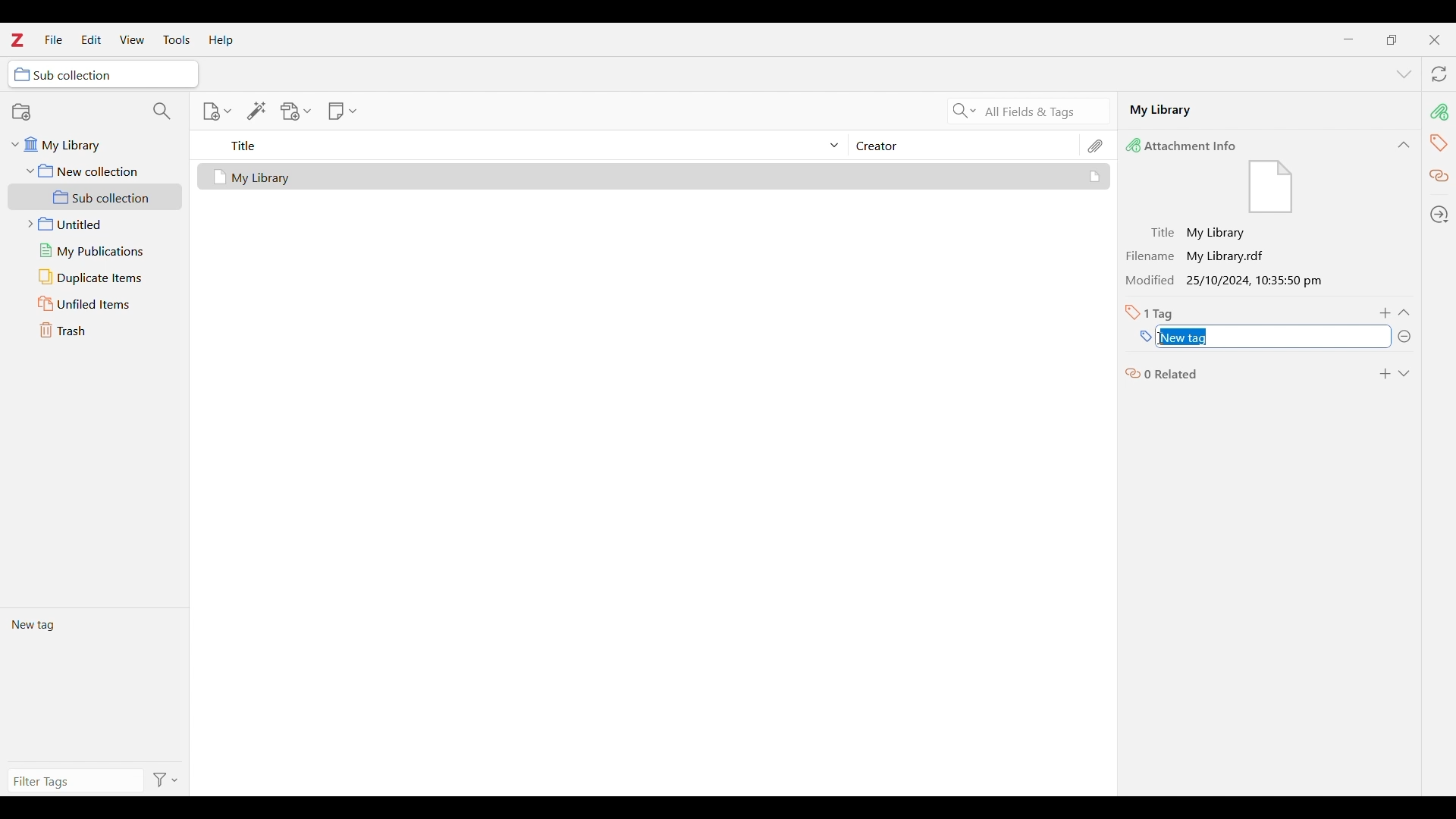 Image resolution: width=1456 pixels, height=819 pixels. Describe the element at coordinates (1200, 233) in the screenshot. I see `Title: My Library` at that location.